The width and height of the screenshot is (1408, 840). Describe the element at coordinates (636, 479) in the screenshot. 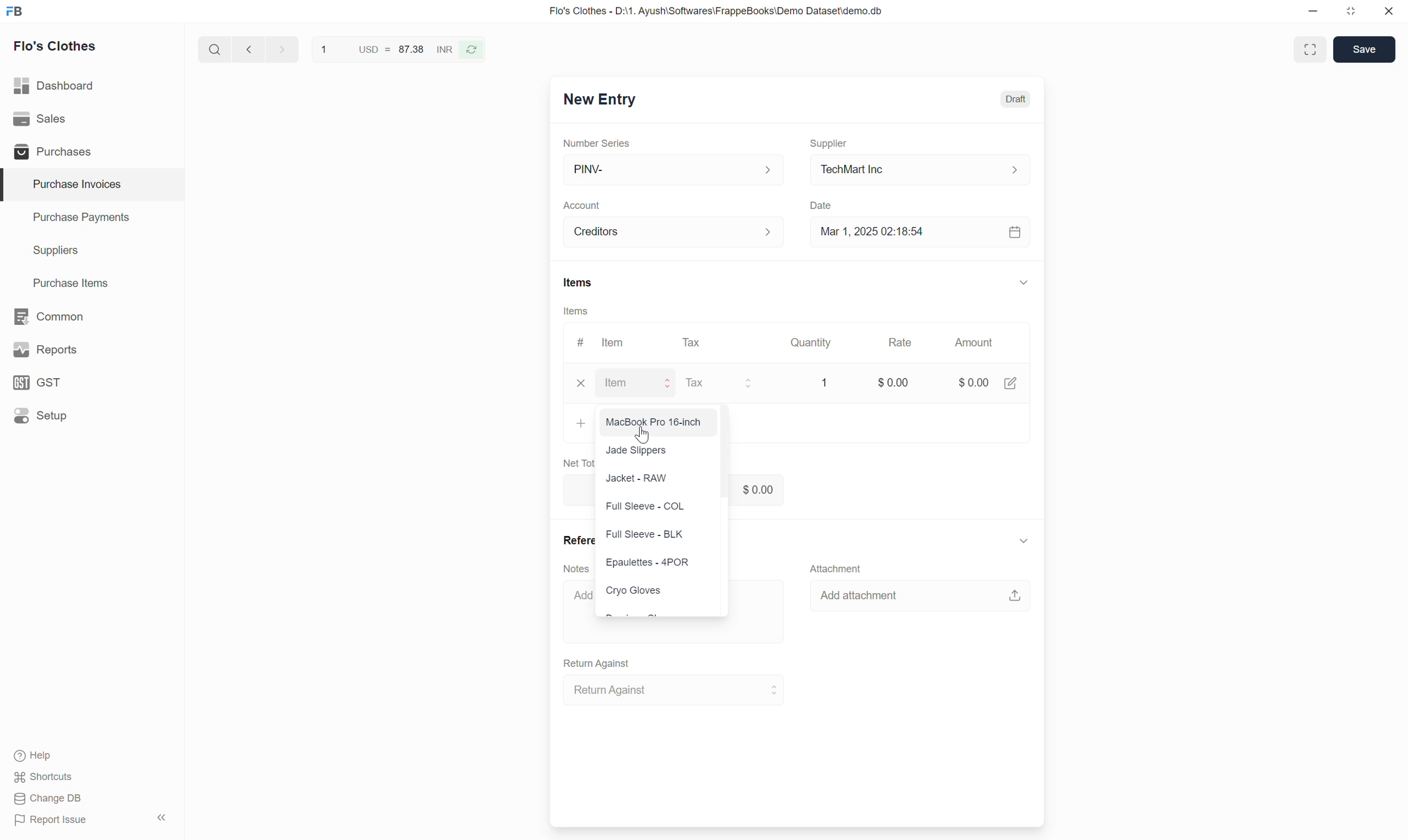

I see `Jacket - RAW` at that location.